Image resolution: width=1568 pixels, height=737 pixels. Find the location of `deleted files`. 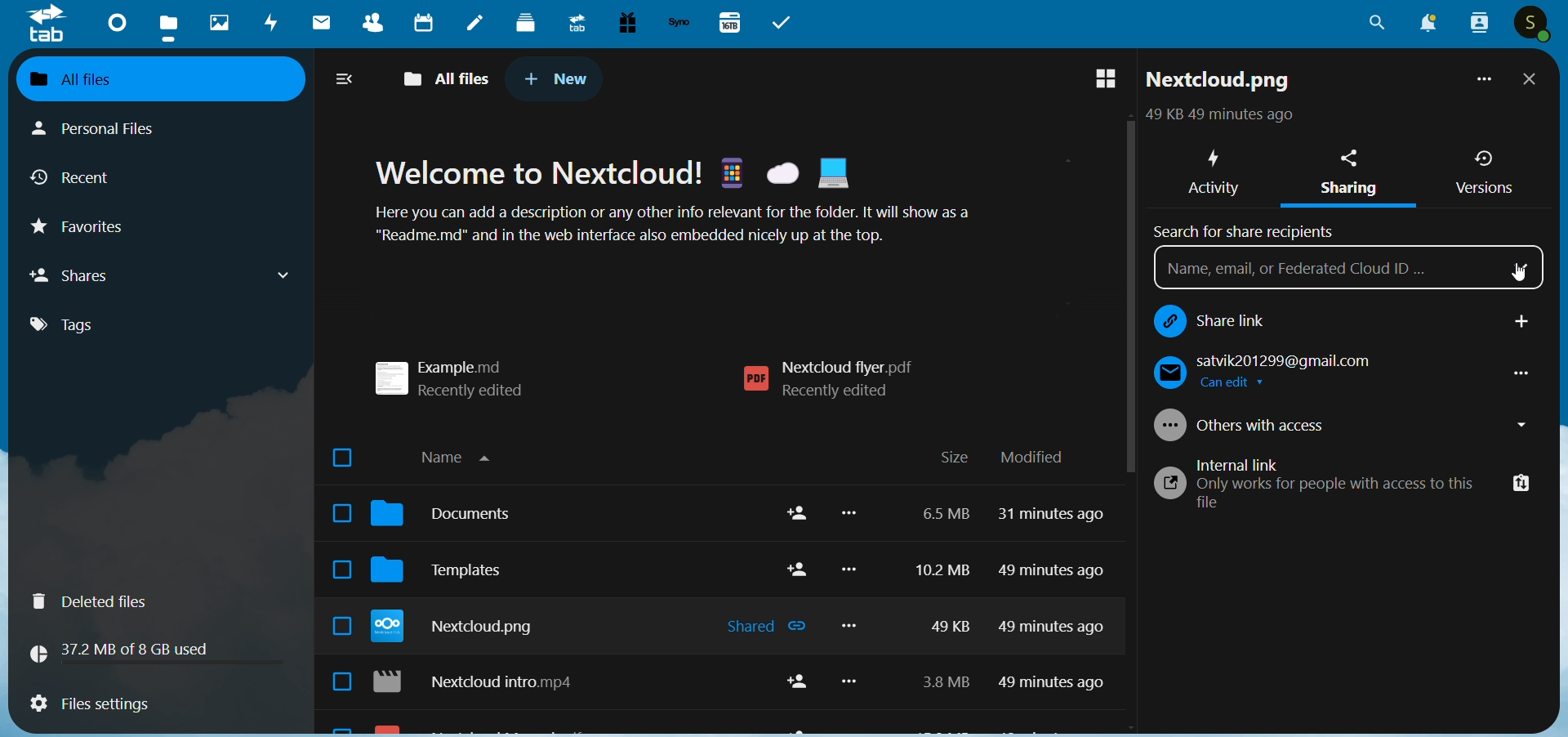

deleted files is located at coordinates (100, 601).